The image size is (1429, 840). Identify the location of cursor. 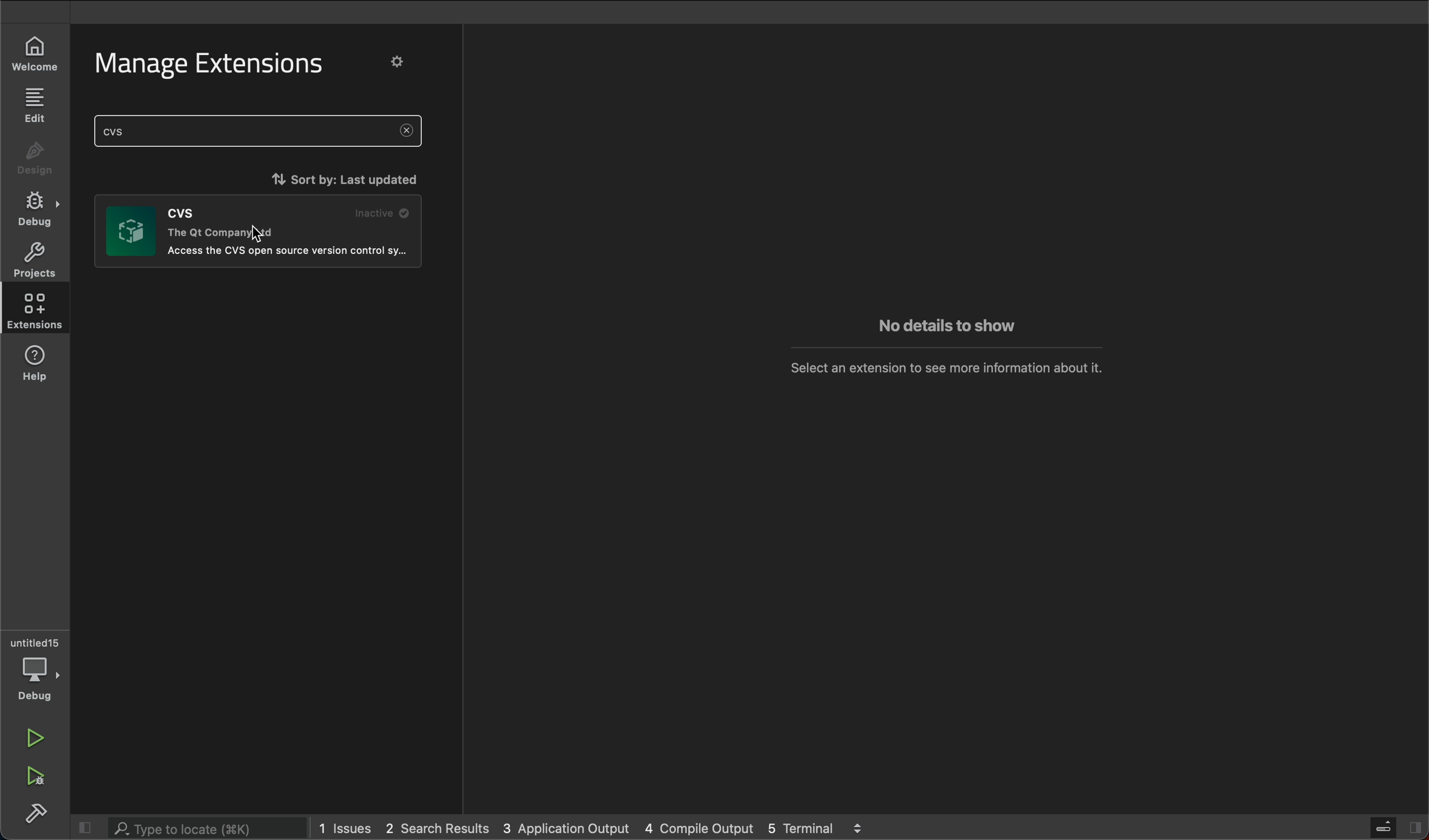
(261, 235).